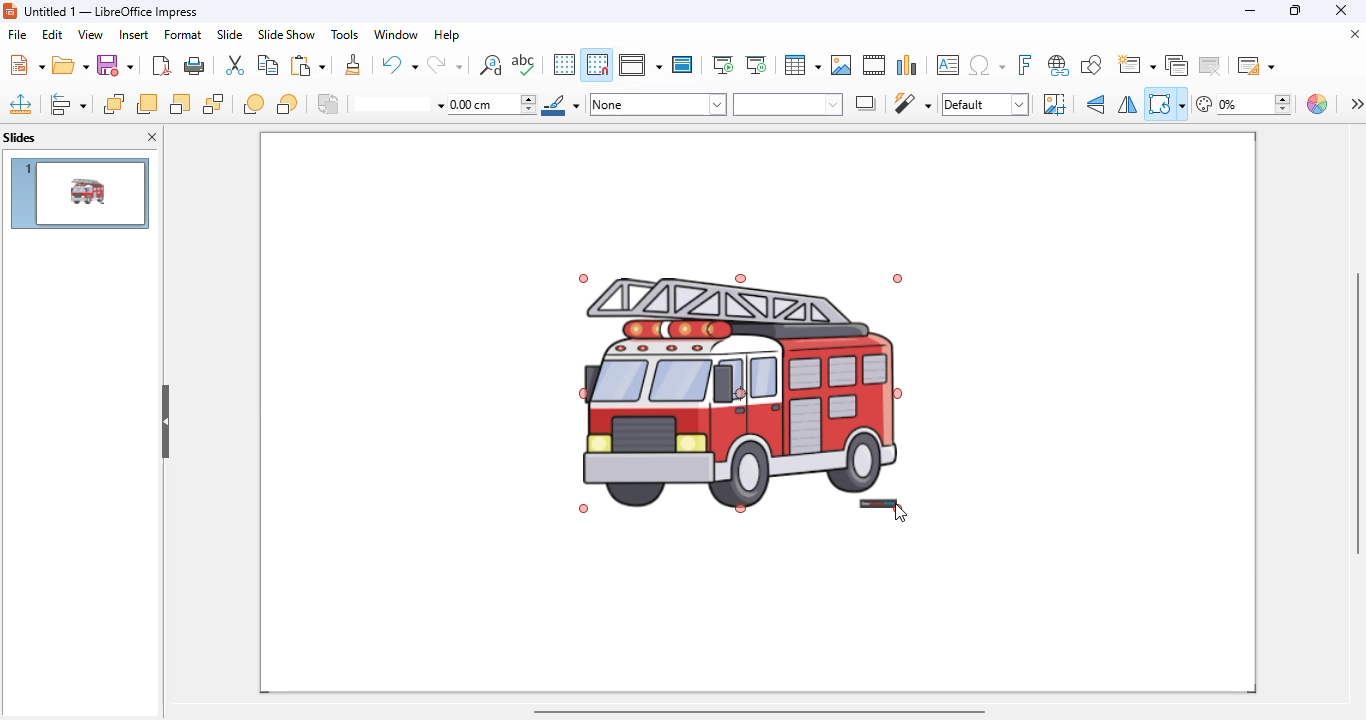 Image resolution: width=1366 pixels, height=720 pixels. What do you see at coordinates (1356, 103) in the screenshot?
I see `more options` at bounding box center [1356, 103].